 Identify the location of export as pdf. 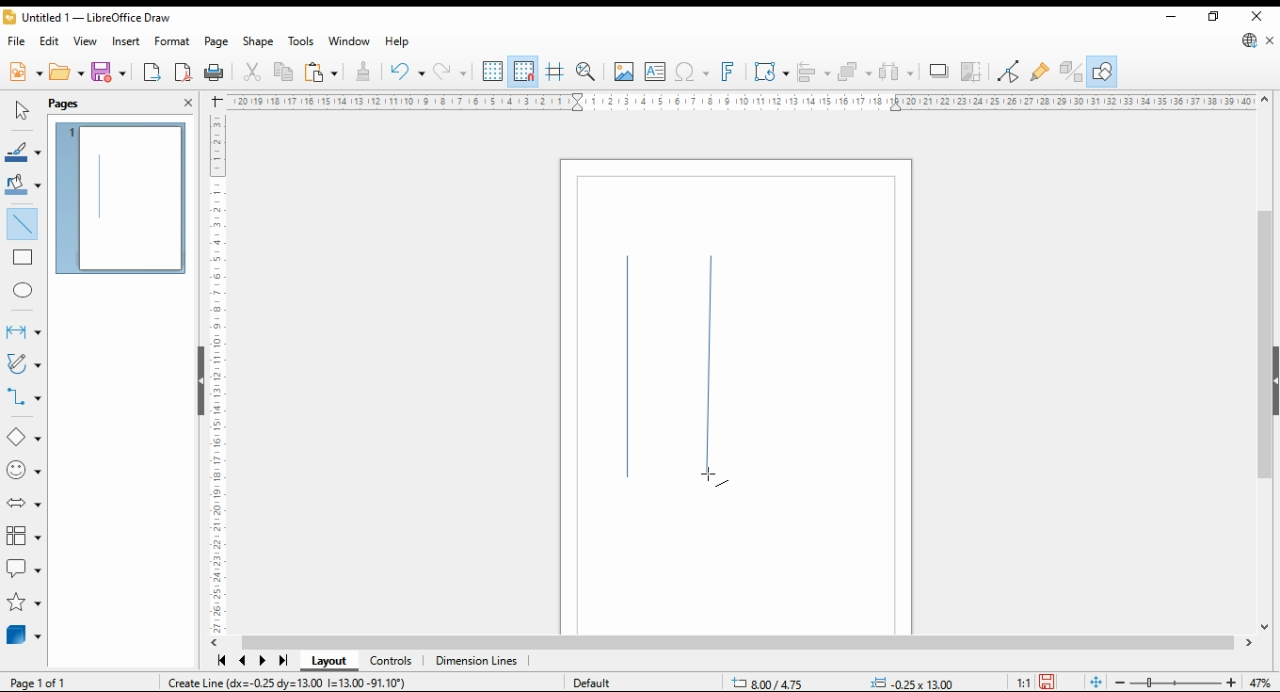
(183, 72).